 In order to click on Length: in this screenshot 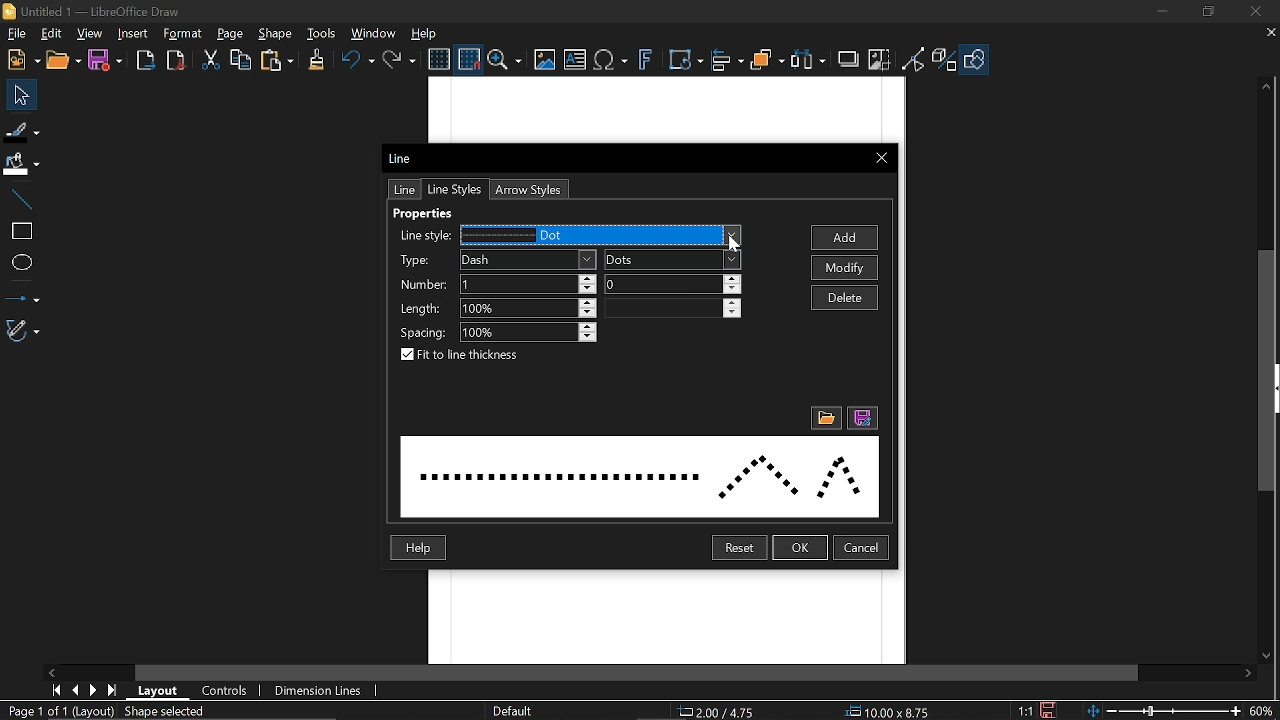, I will do `click(420, 307)`.